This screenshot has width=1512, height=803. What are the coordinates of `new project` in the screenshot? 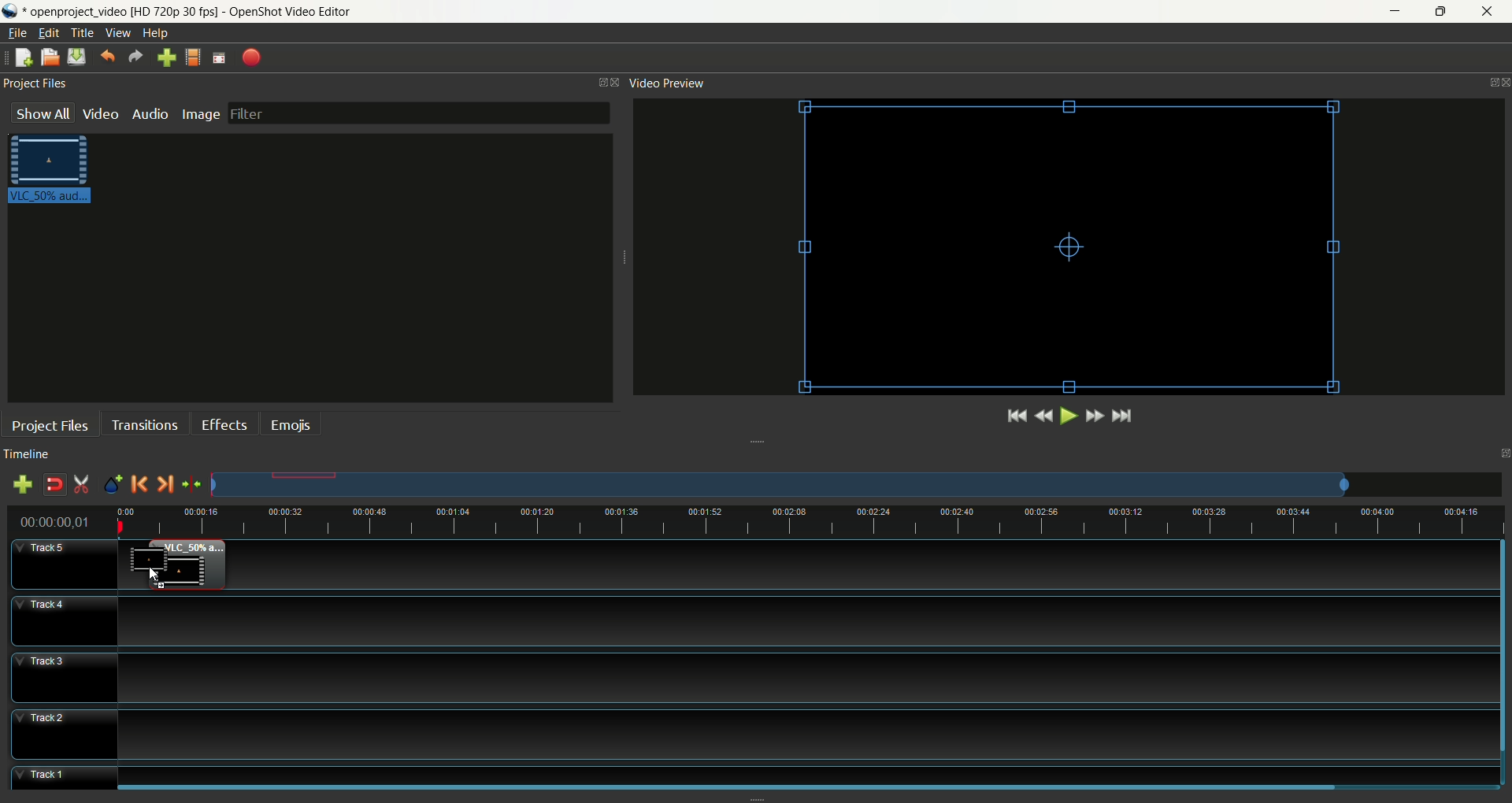 It's located at (22, 57).